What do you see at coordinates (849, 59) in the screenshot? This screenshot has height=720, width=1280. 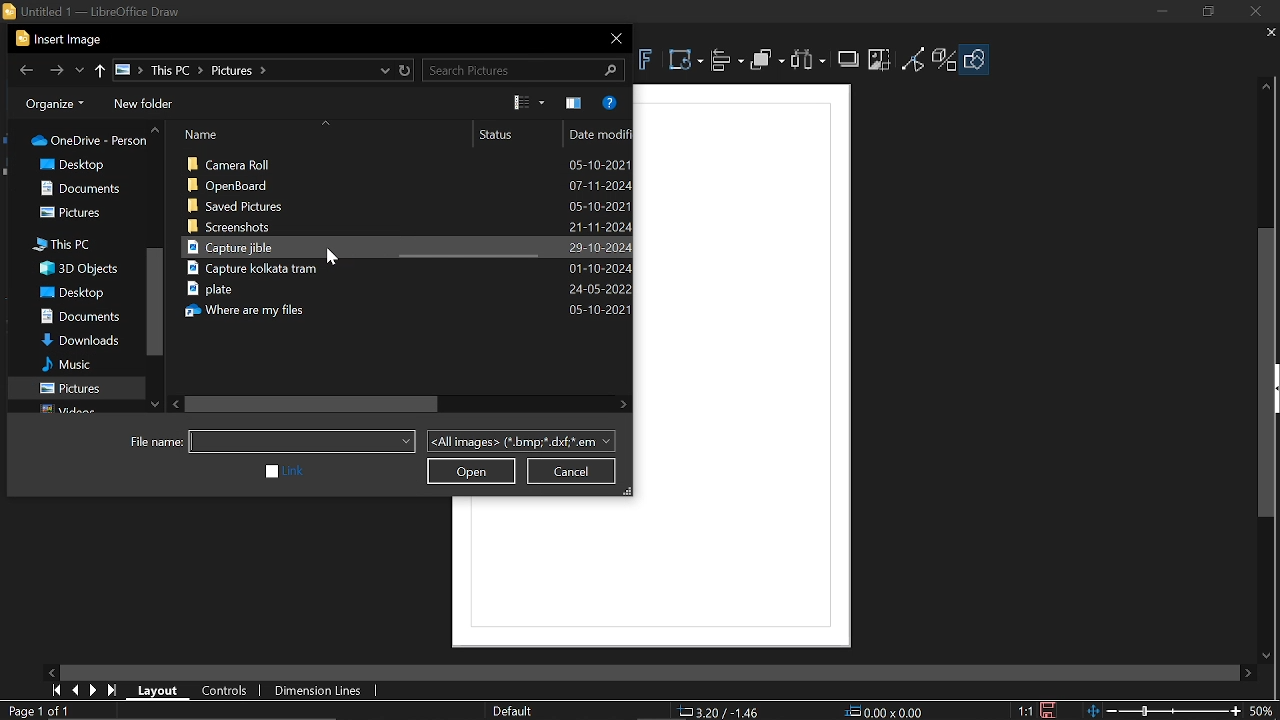 I see `Shadow` at bounding box center [849, 59].